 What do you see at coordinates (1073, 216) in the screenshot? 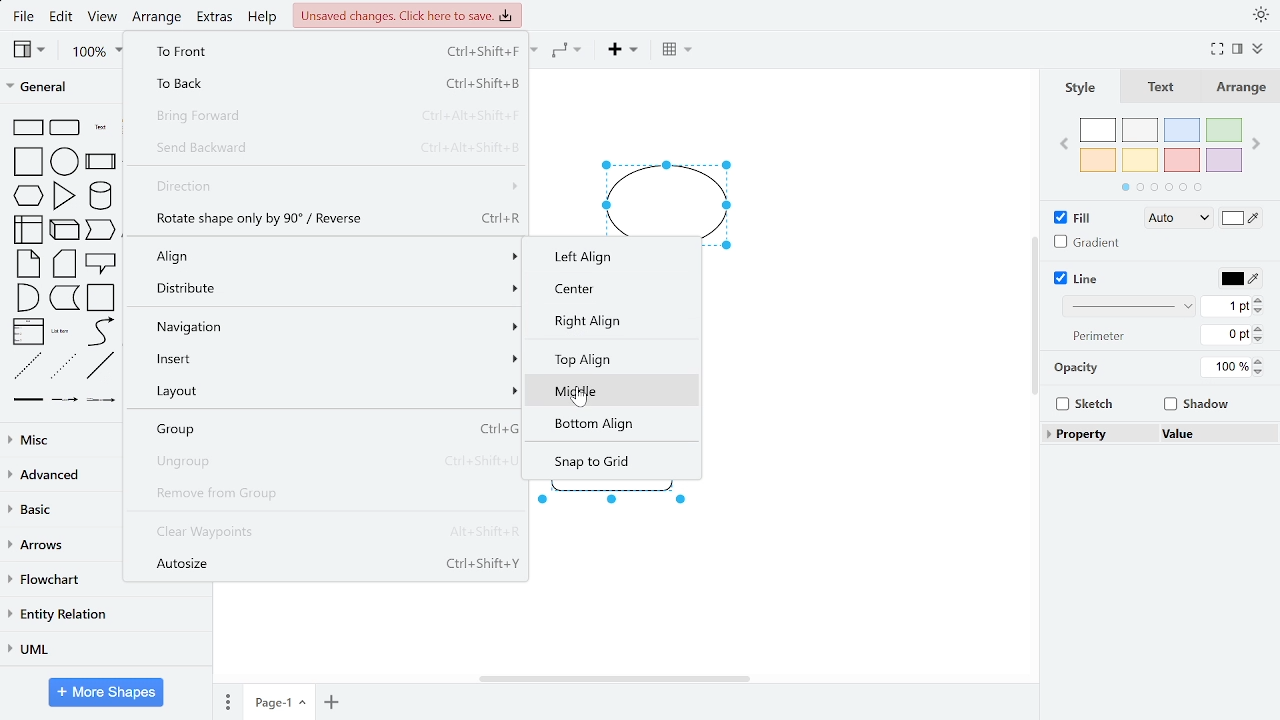
I see `Fill` at bounding box center [1073, 216].